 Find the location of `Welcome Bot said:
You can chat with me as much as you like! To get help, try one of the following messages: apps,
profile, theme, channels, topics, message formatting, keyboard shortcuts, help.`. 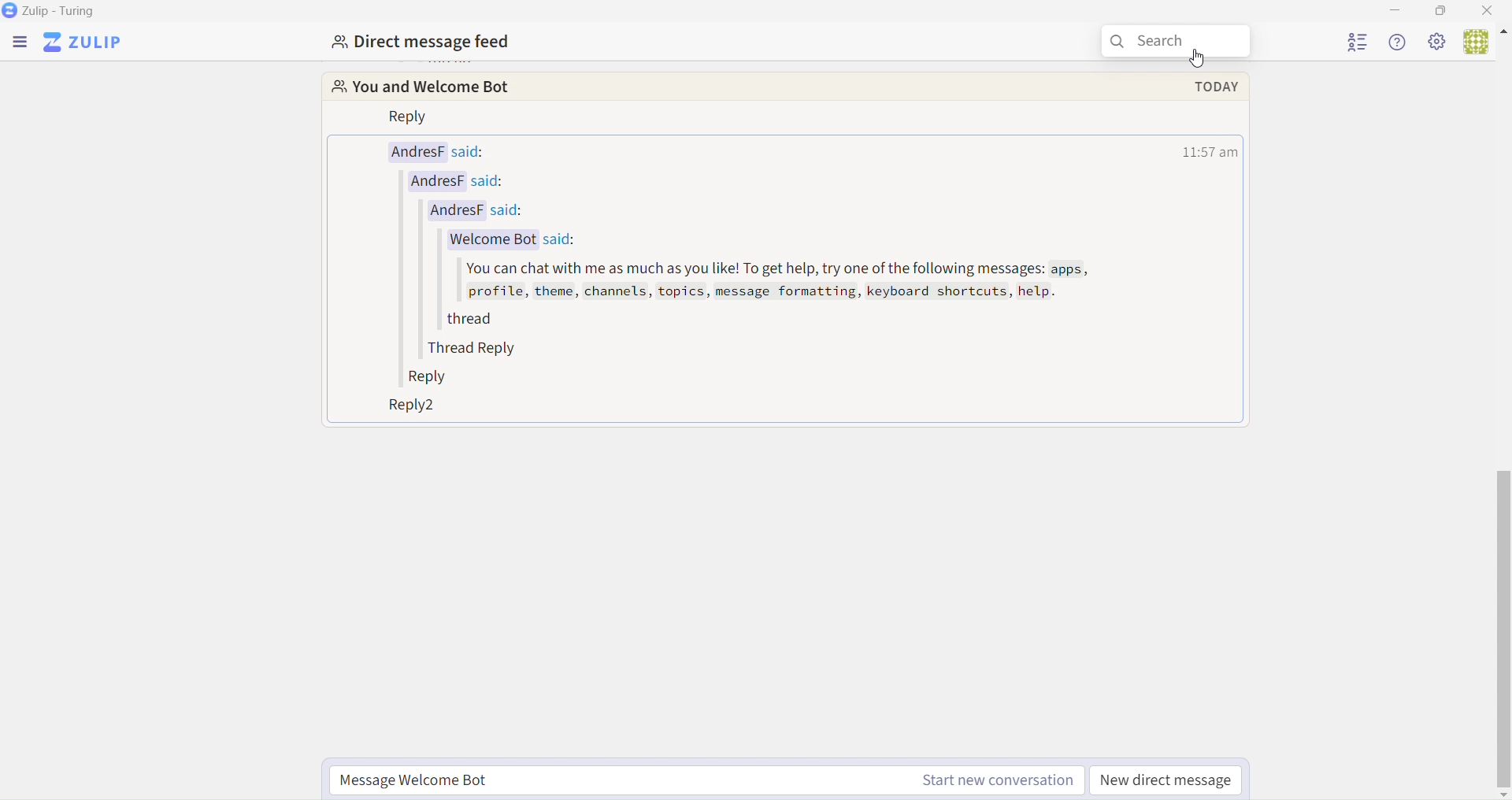

Welcome Bot said:
You can chat with me as much as you like! To get help, try one of the following messages: apps,
profile, theme, channels, topics, message formatting, keyboard shortcuts, help. is located at coordinates (765, 272).